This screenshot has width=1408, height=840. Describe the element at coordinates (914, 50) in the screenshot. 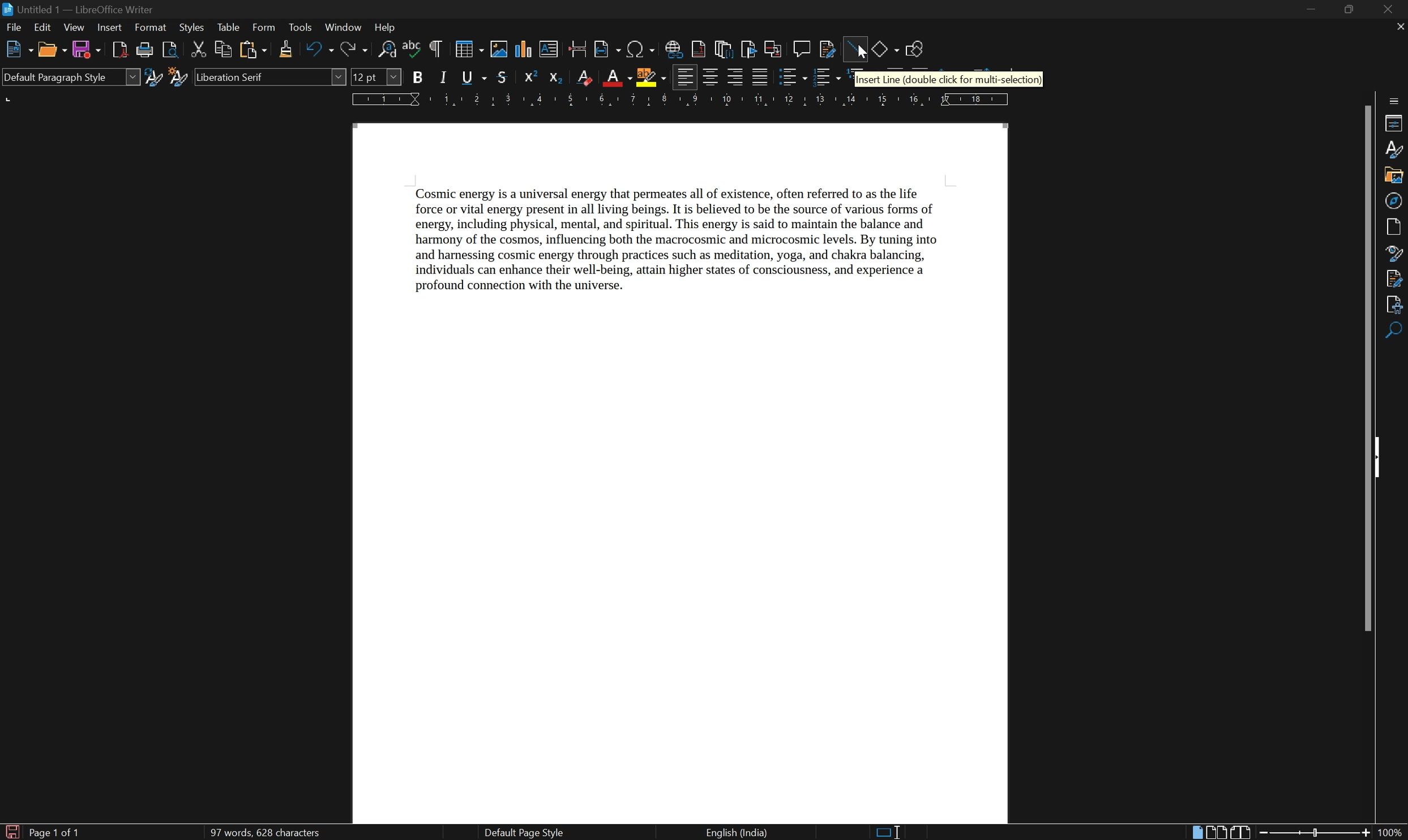

I see `show draw function` at that location.